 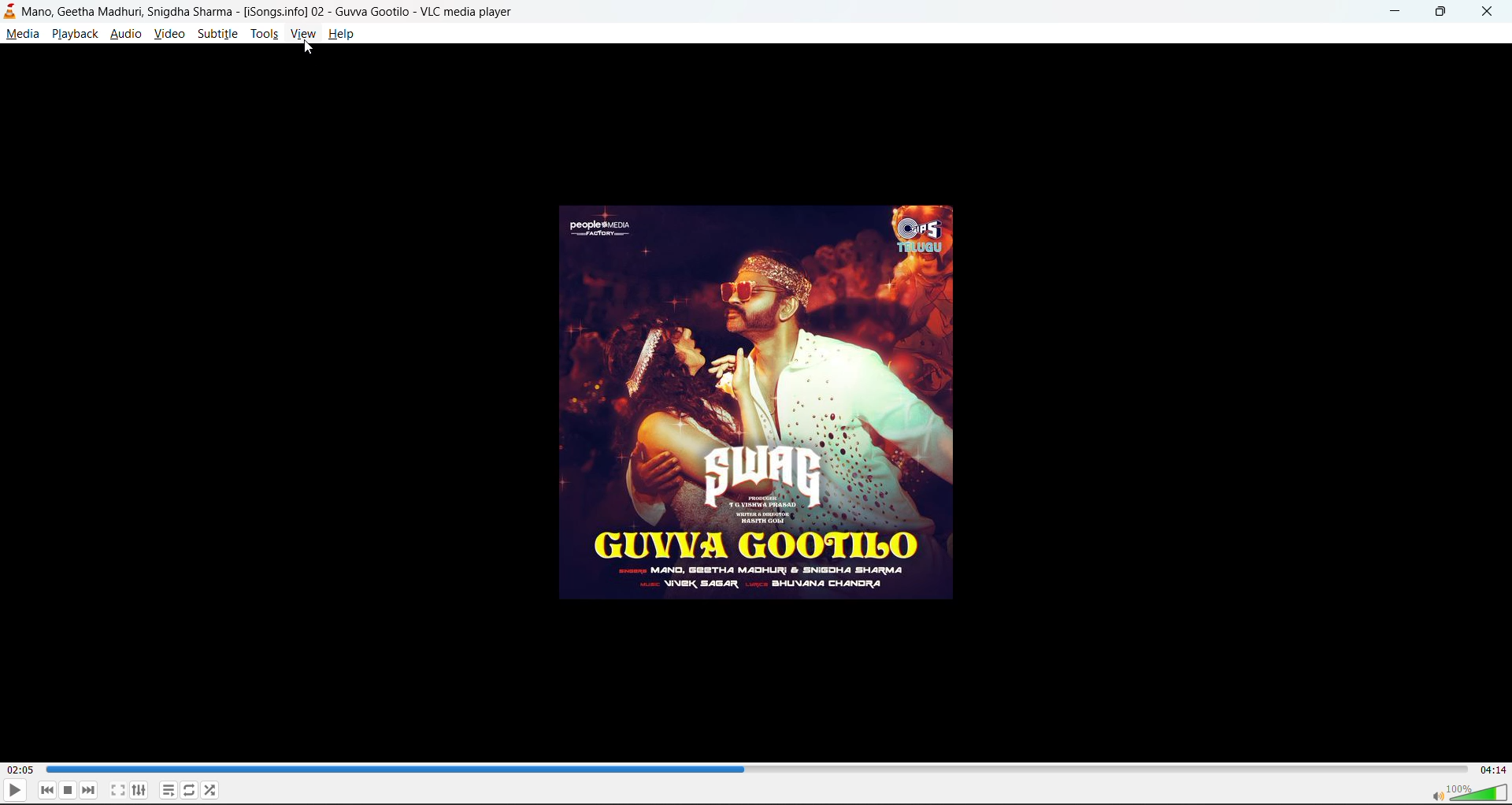 What do you see at coordinates (1490, 770) in the screenshot?
I see `total time` at bounding box center [1490, 770].